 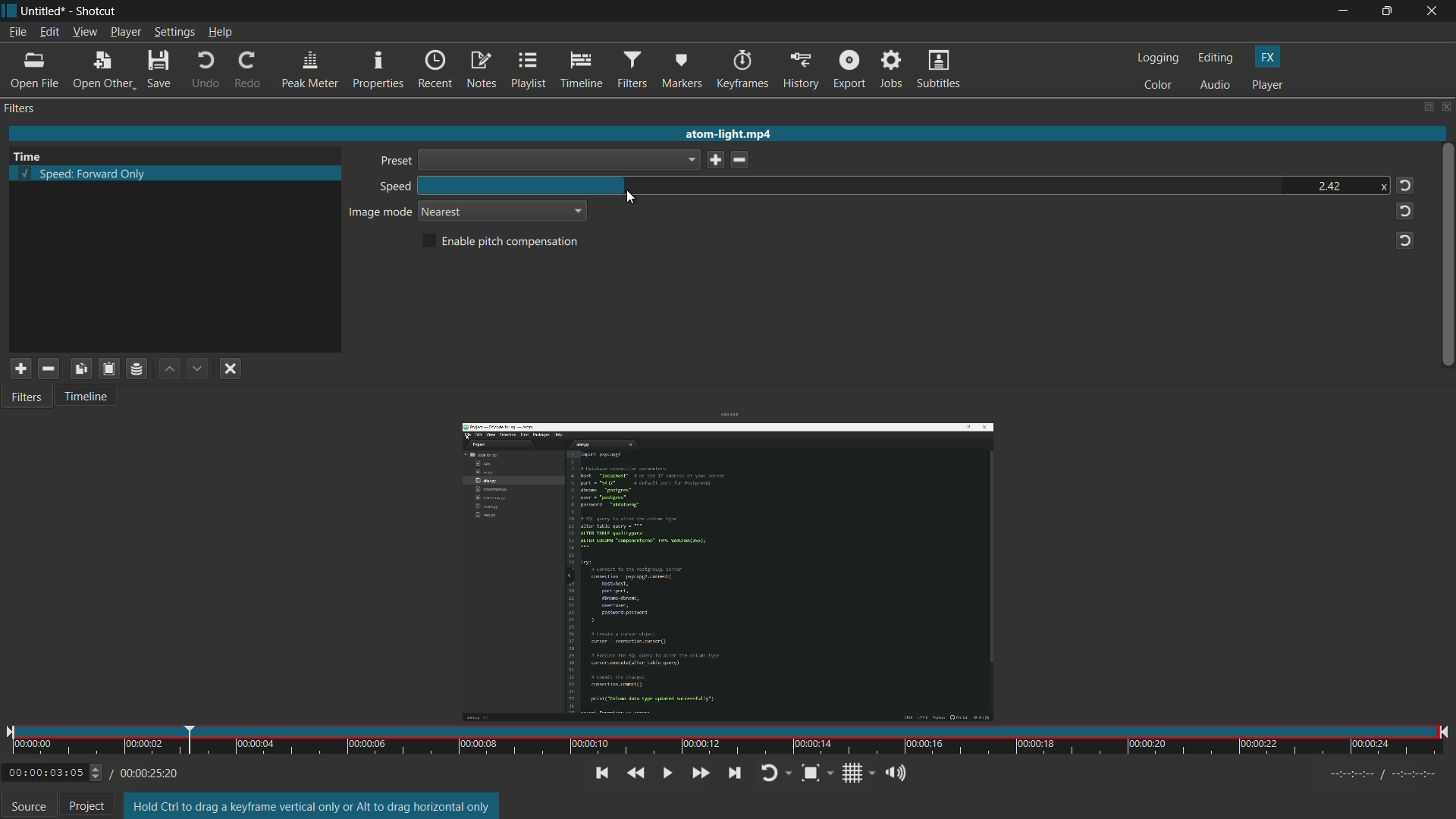 What do you see at coordinates (246, 71) in the screenshot?
I see `redo` at bounding box center [246, 71].